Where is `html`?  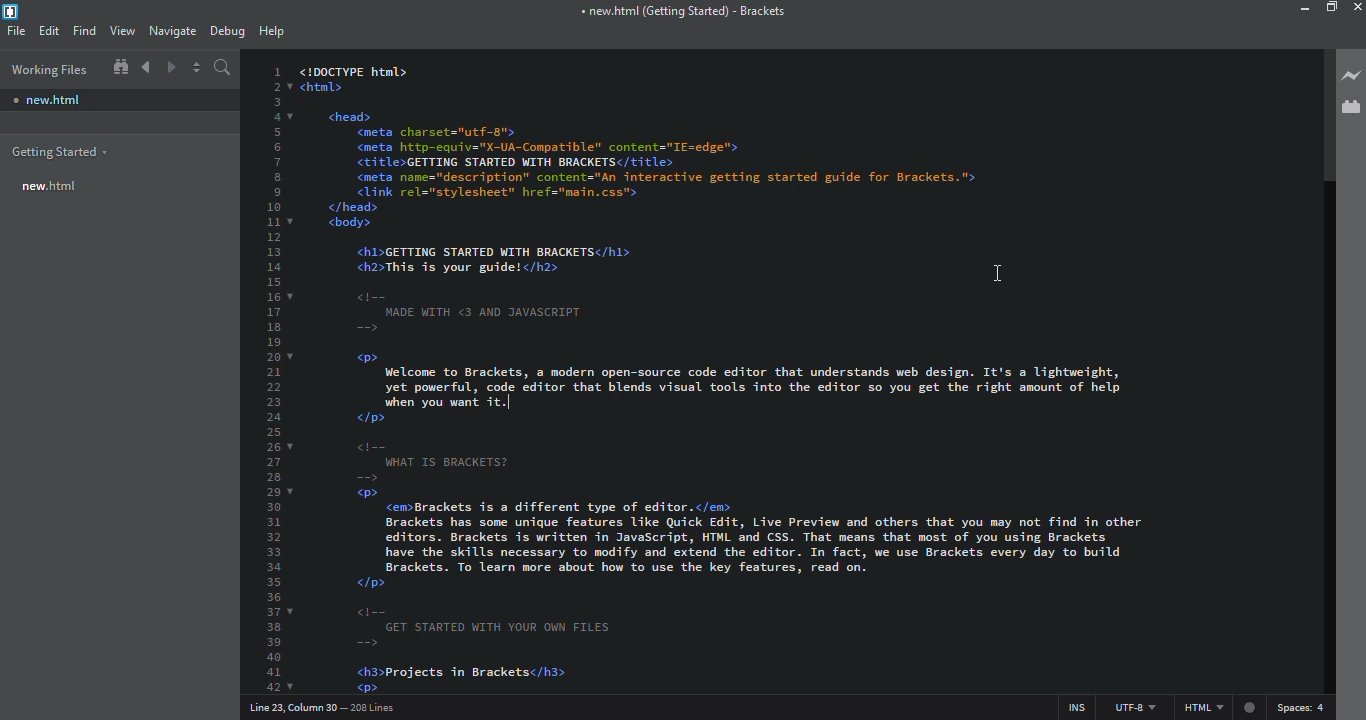
html is located at coordinates (1215, 708).